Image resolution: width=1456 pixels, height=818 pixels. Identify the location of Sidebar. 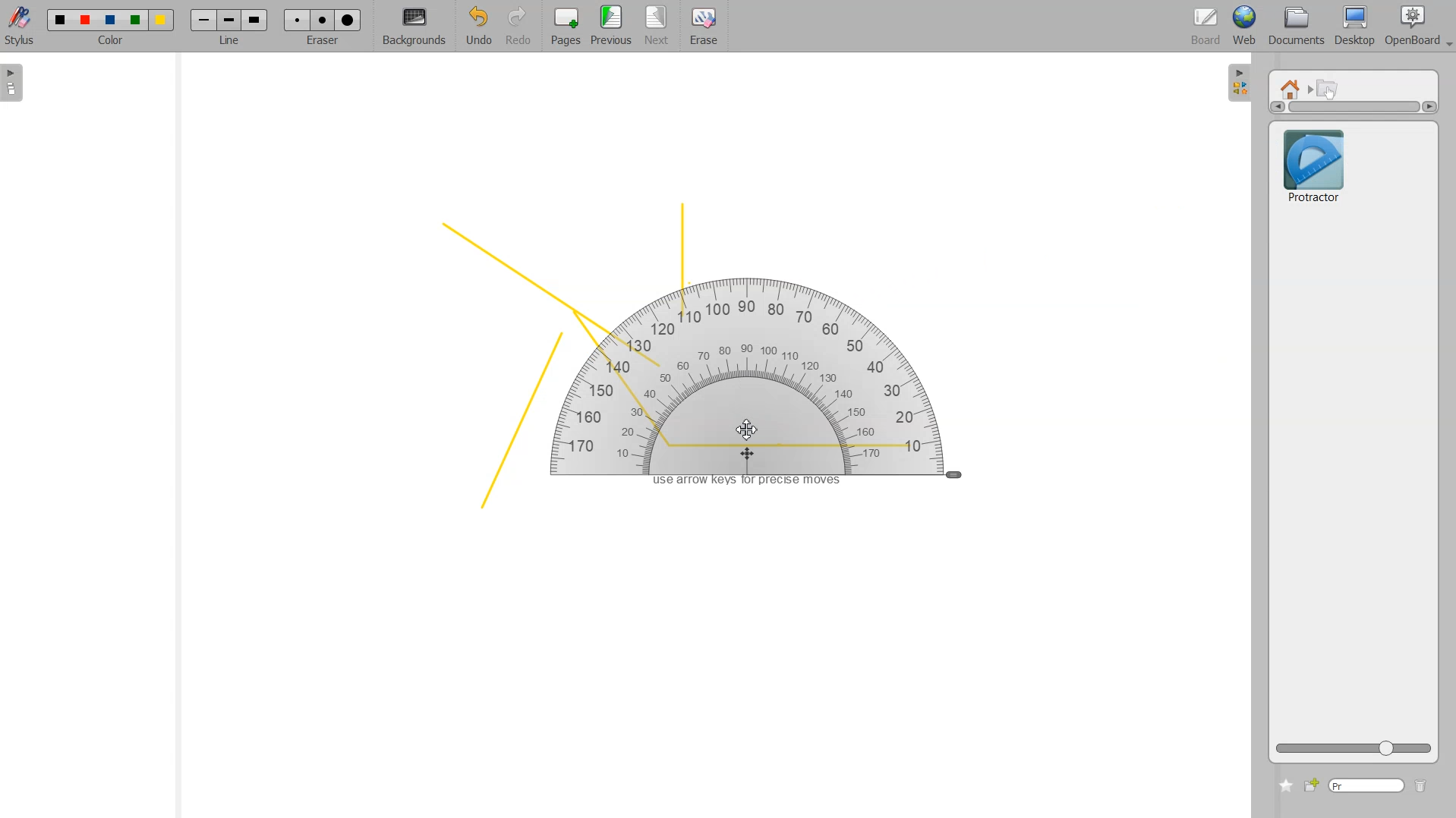
(17, 83).